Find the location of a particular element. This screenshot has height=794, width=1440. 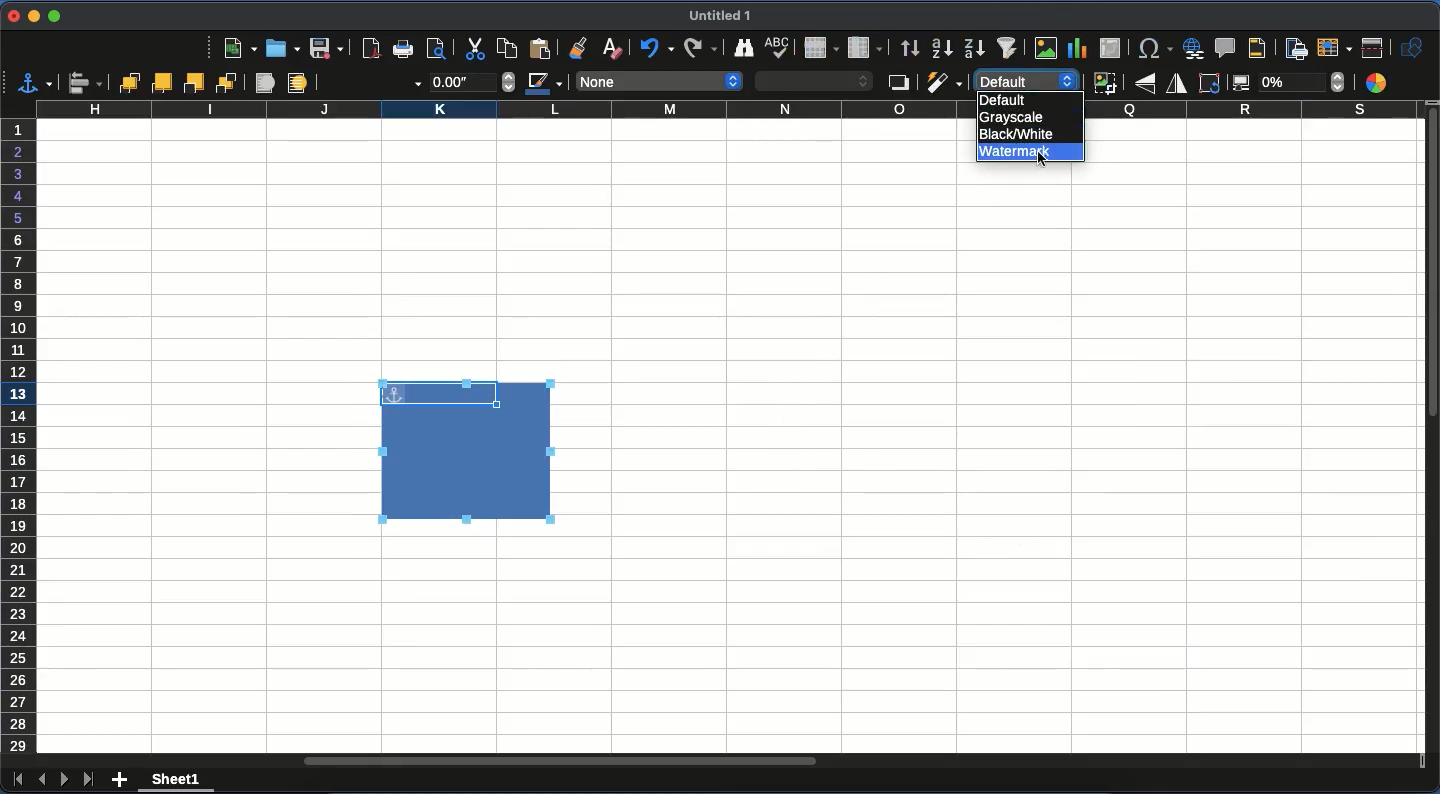

minimize is located at coordinates (33, 16).